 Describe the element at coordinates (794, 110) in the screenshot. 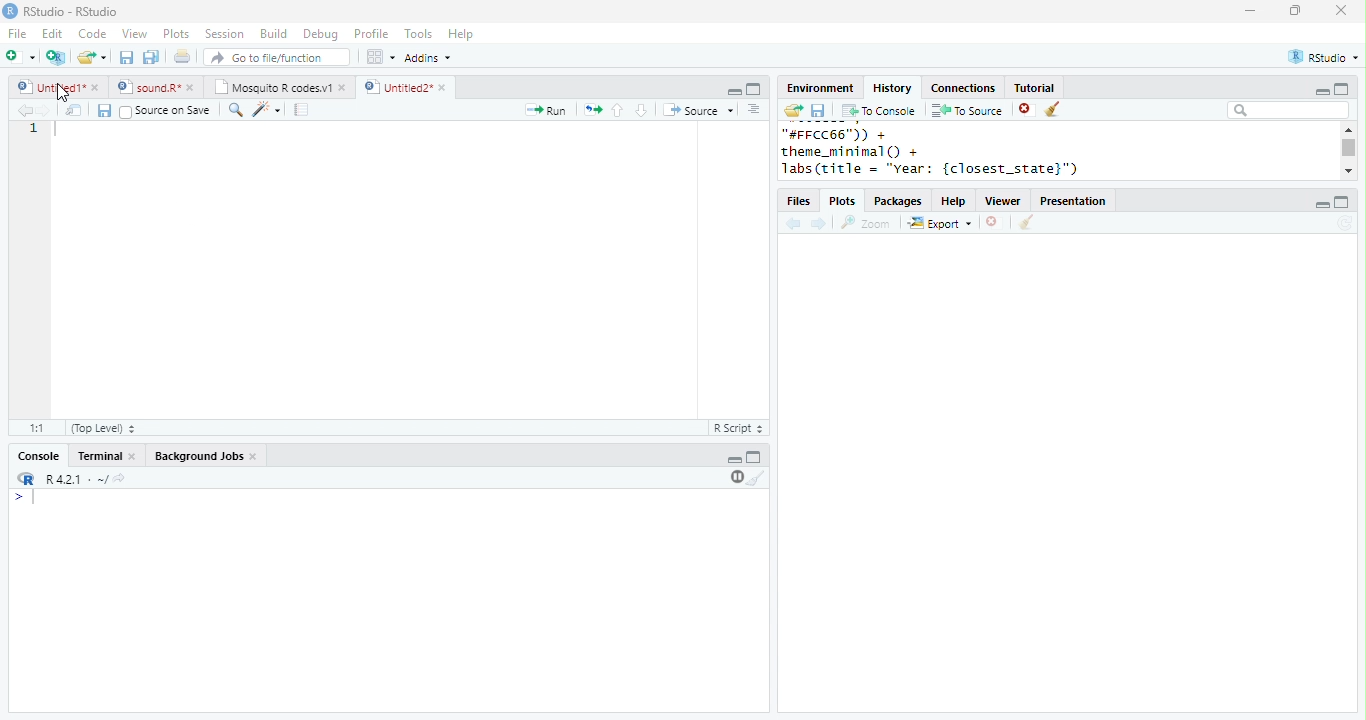

I see `open folder` at that location.